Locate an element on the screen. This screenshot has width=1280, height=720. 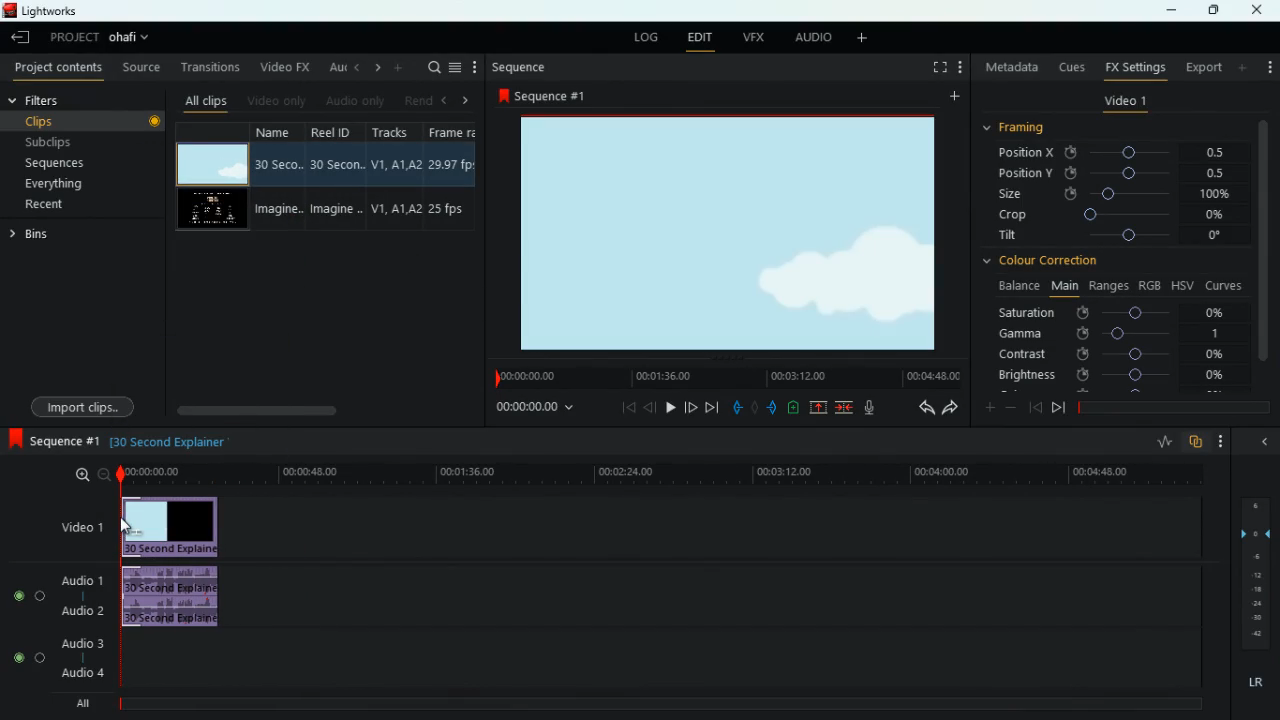
timeline is located at coordinates (724, 376).